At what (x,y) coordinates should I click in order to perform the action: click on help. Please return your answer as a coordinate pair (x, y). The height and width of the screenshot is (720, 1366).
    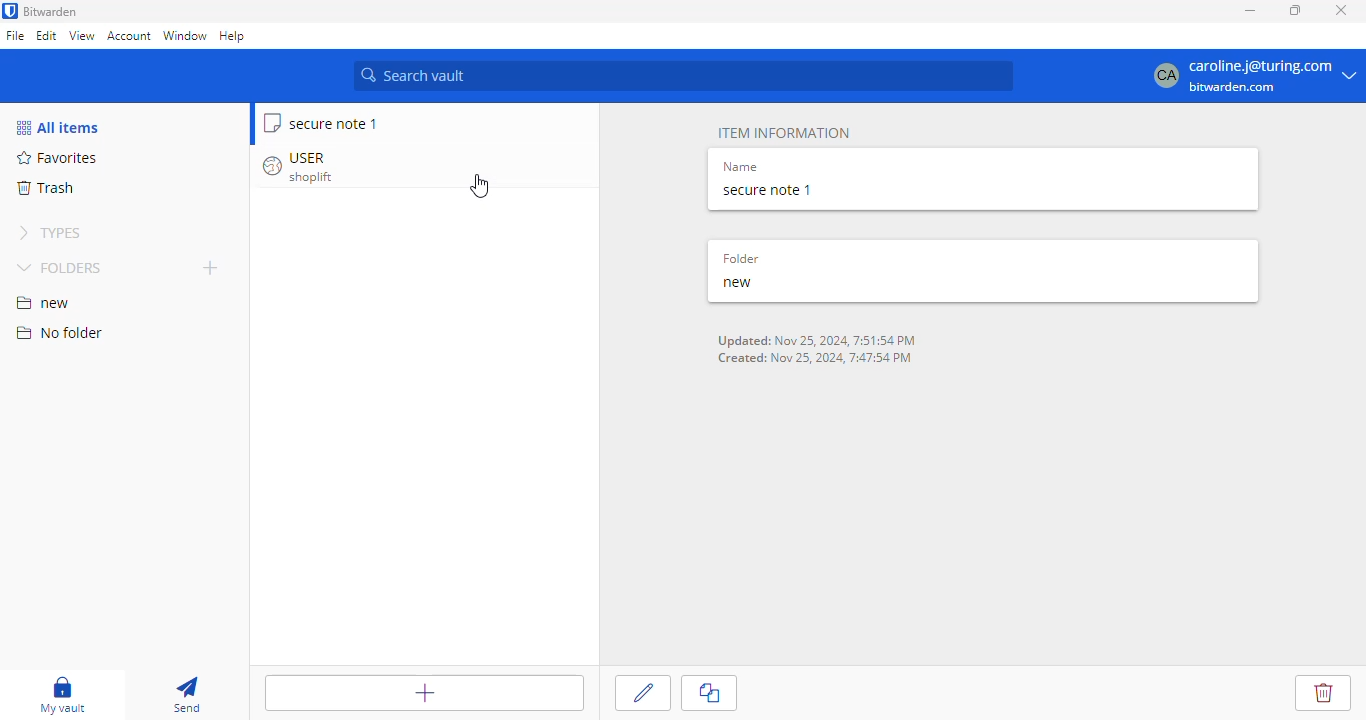
    Looking at the image, I should click on (232, 35).